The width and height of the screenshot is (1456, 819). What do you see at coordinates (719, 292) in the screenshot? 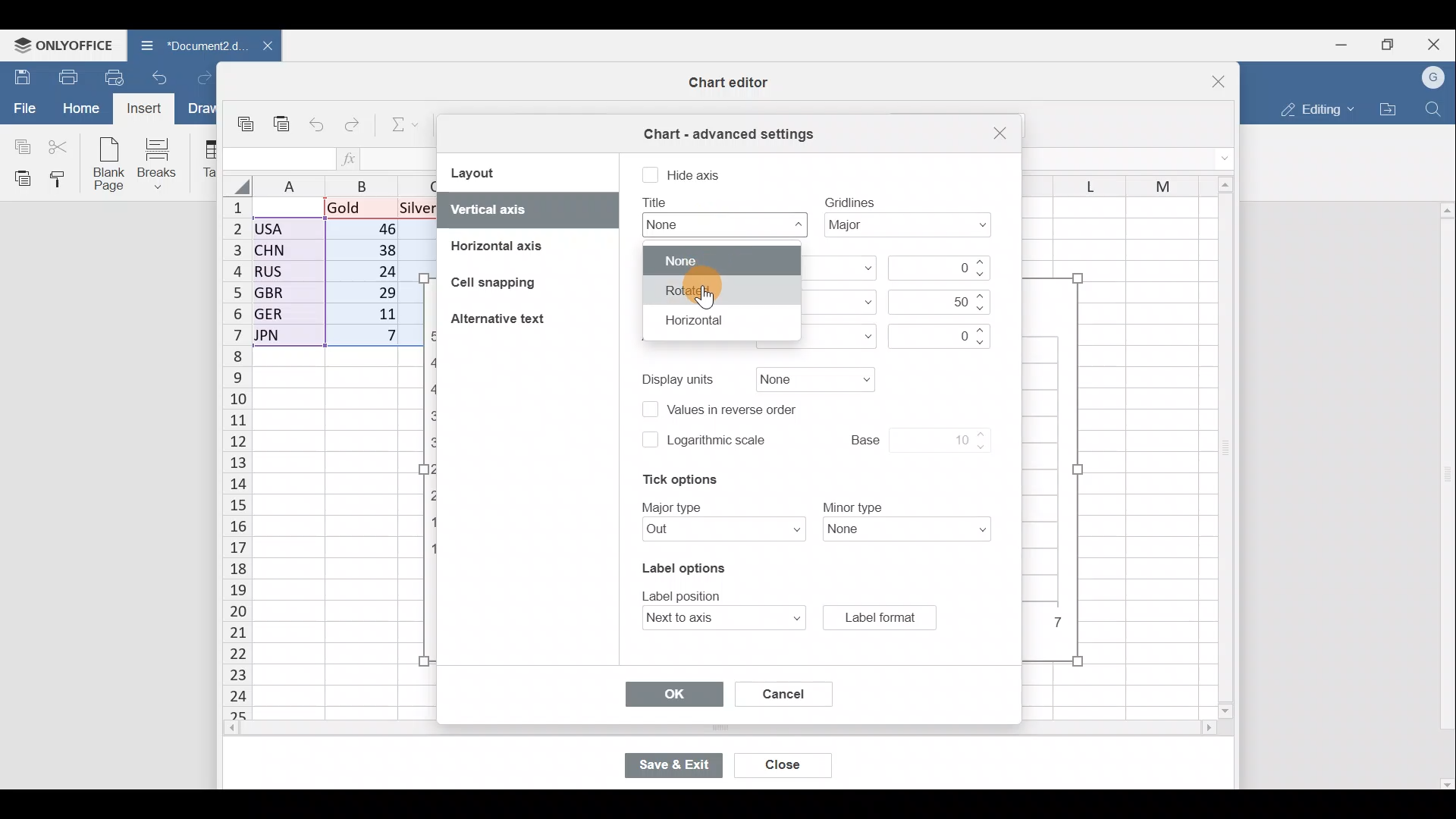
I see `rotate` at bounding box center [719, 292].